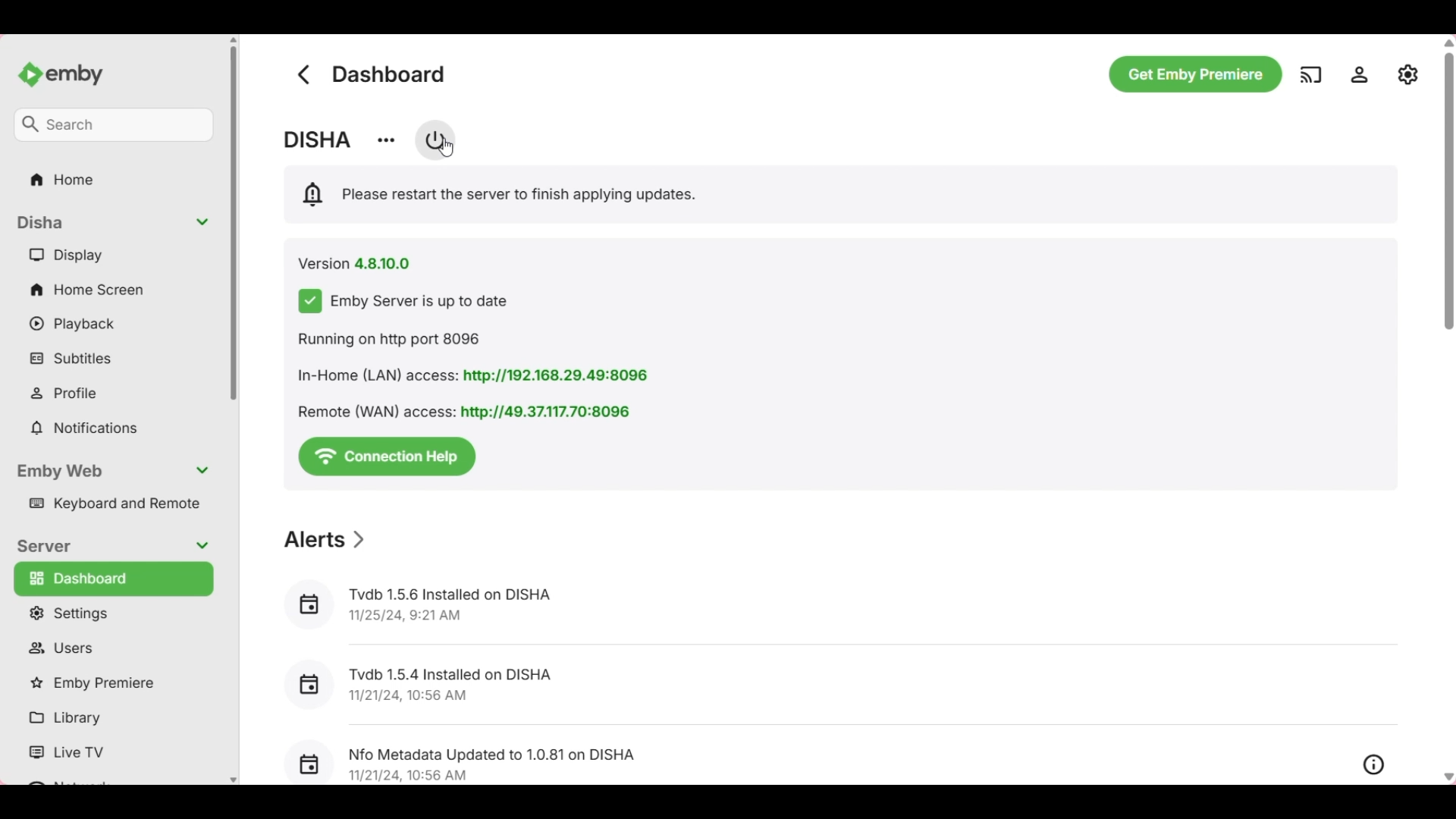  What do you see at coordinates (1408, 74) in the screenshot?
I see `Manage EMBY server` at bounding box center [1408, 74].